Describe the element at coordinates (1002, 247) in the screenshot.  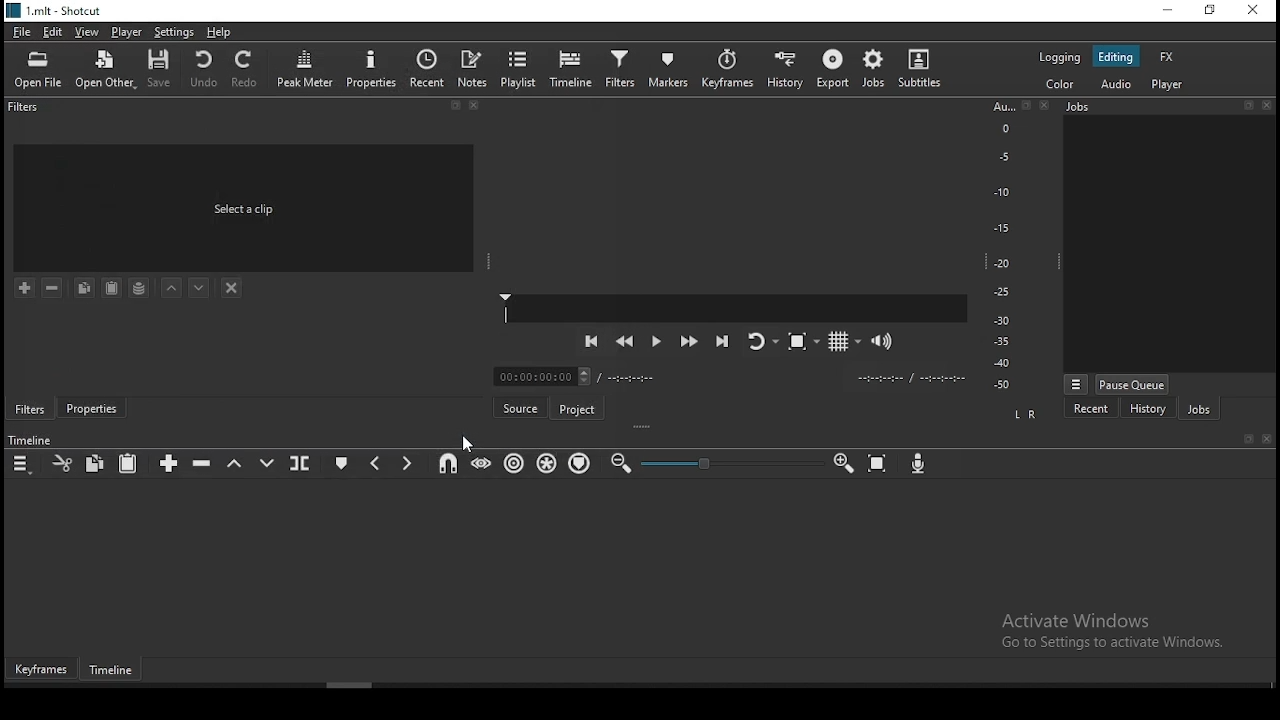
I see `scale` at that location.